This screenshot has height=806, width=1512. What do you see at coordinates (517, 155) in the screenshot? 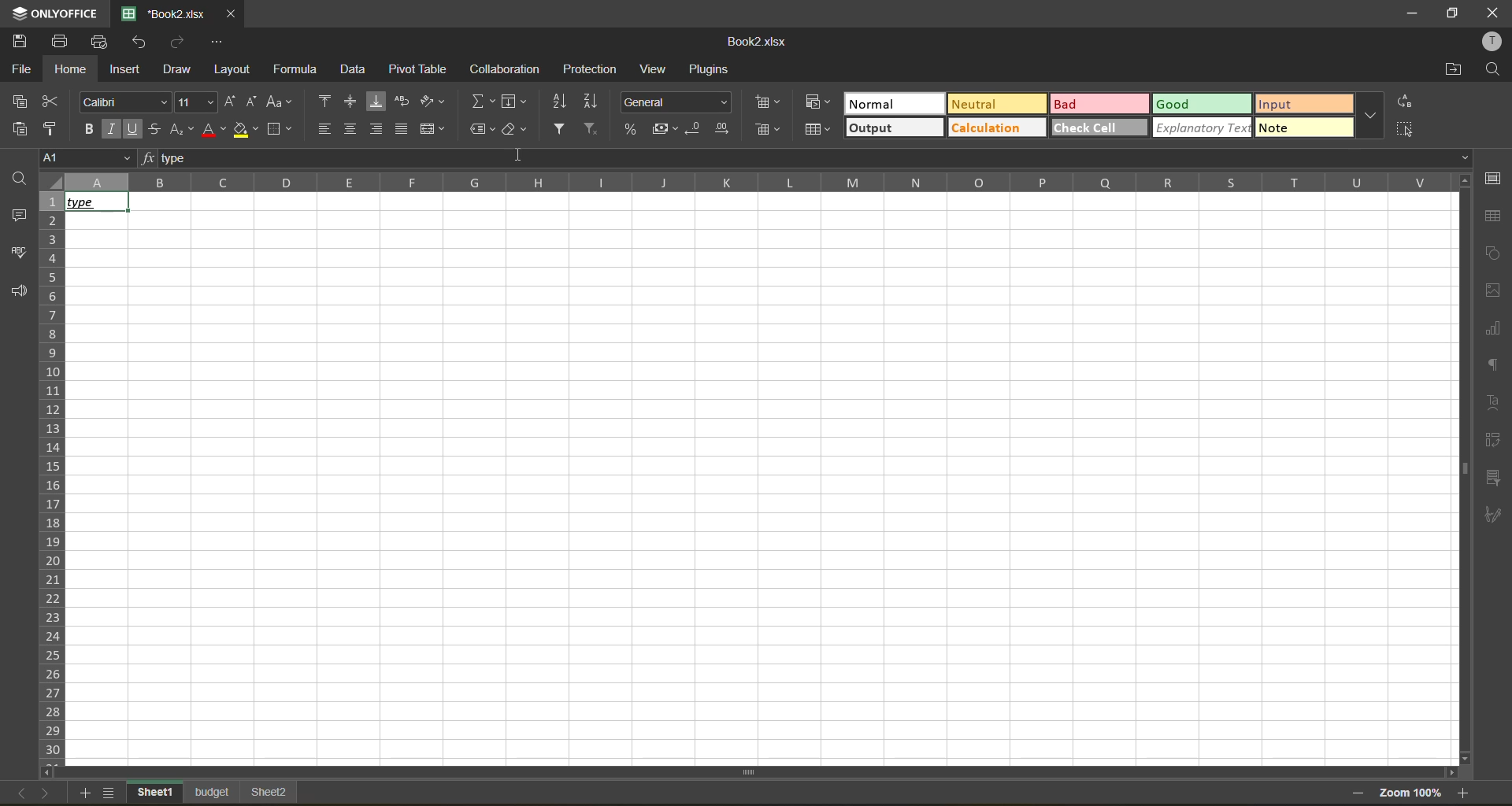
I see `cursor` at bounding box center [517, 155].